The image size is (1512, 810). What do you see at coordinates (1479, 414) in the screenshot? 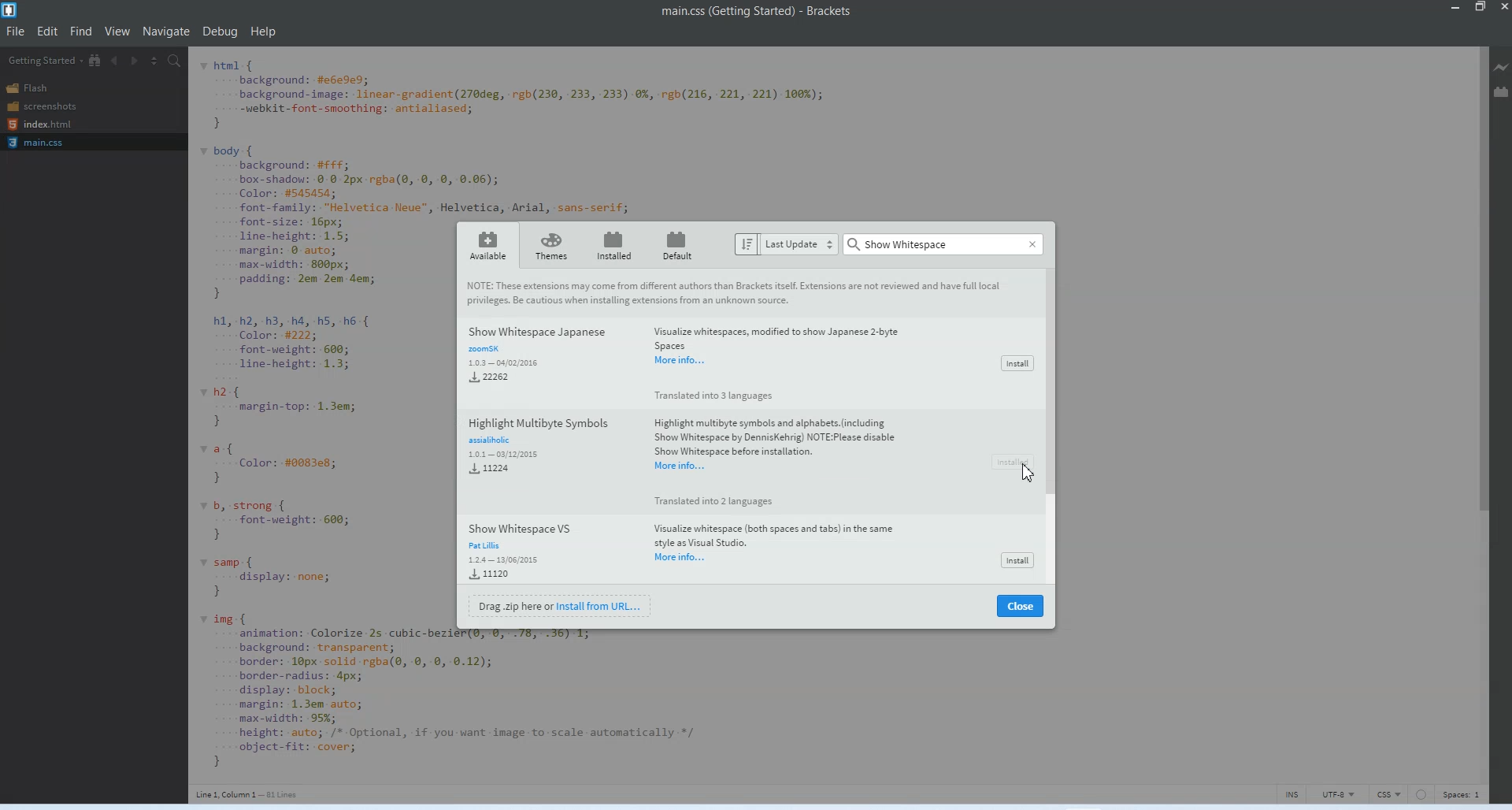
I see `Vertical Scroll bar` at bounding box center [1479, 414].